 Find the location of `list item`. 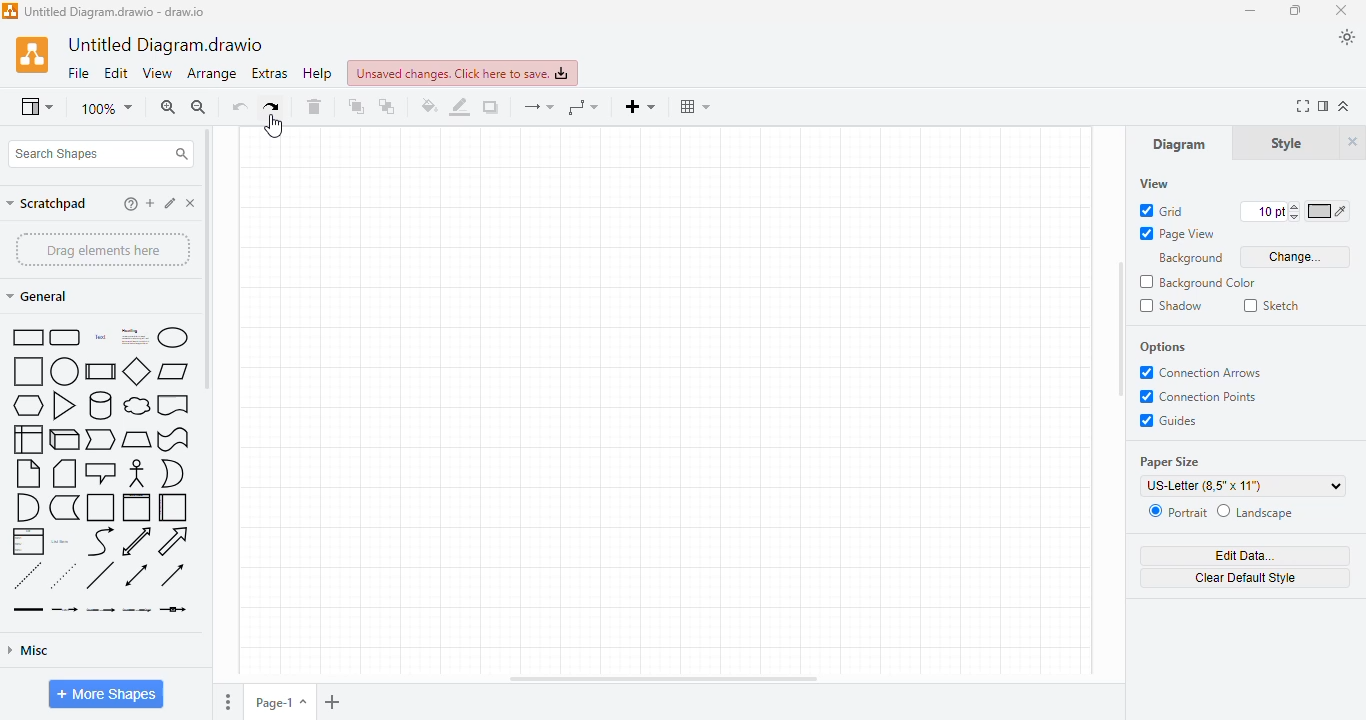

list item is located at coordinates (61, 541).